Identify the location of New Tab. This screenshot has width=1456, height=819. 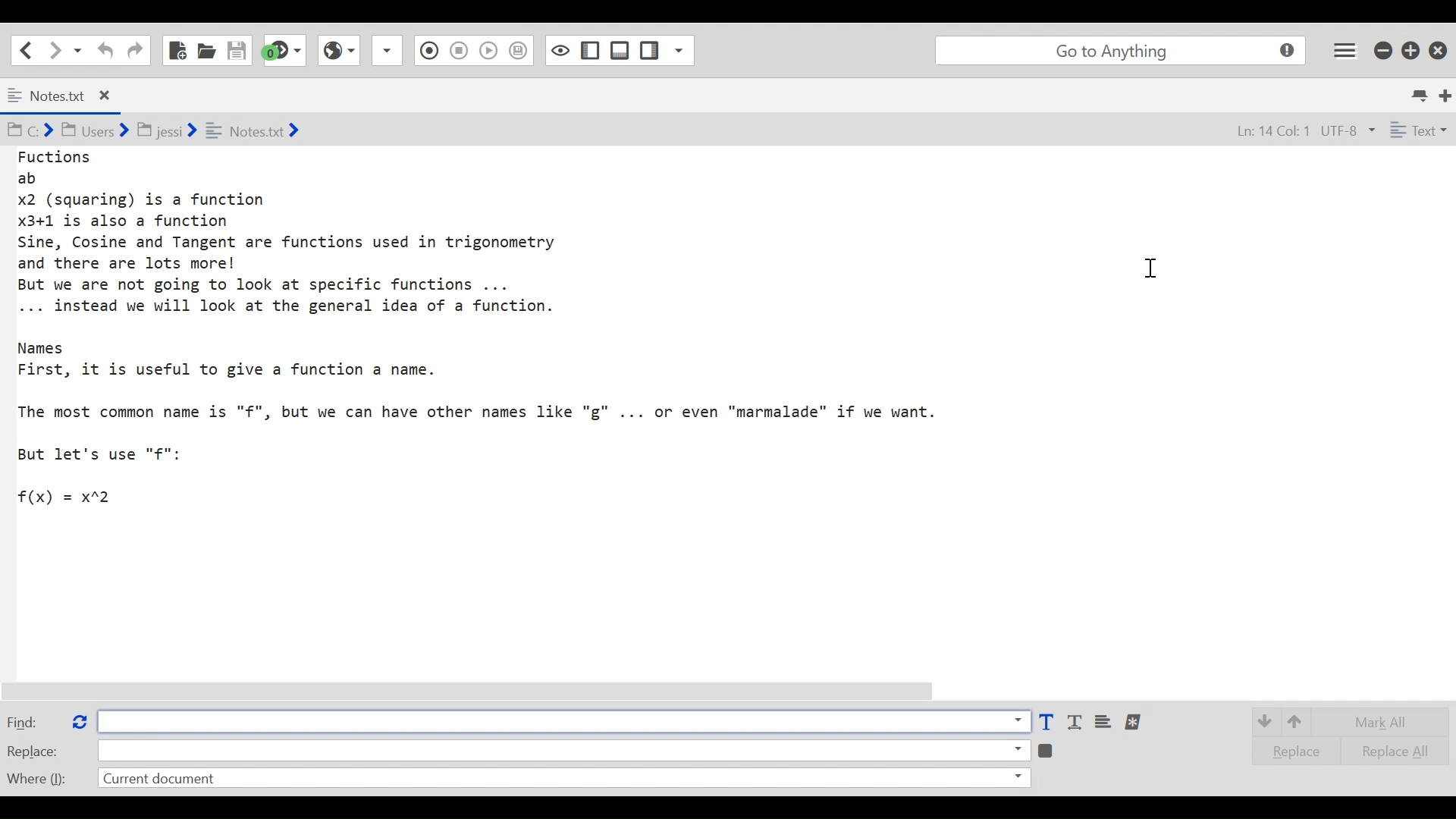
(1446, 94).